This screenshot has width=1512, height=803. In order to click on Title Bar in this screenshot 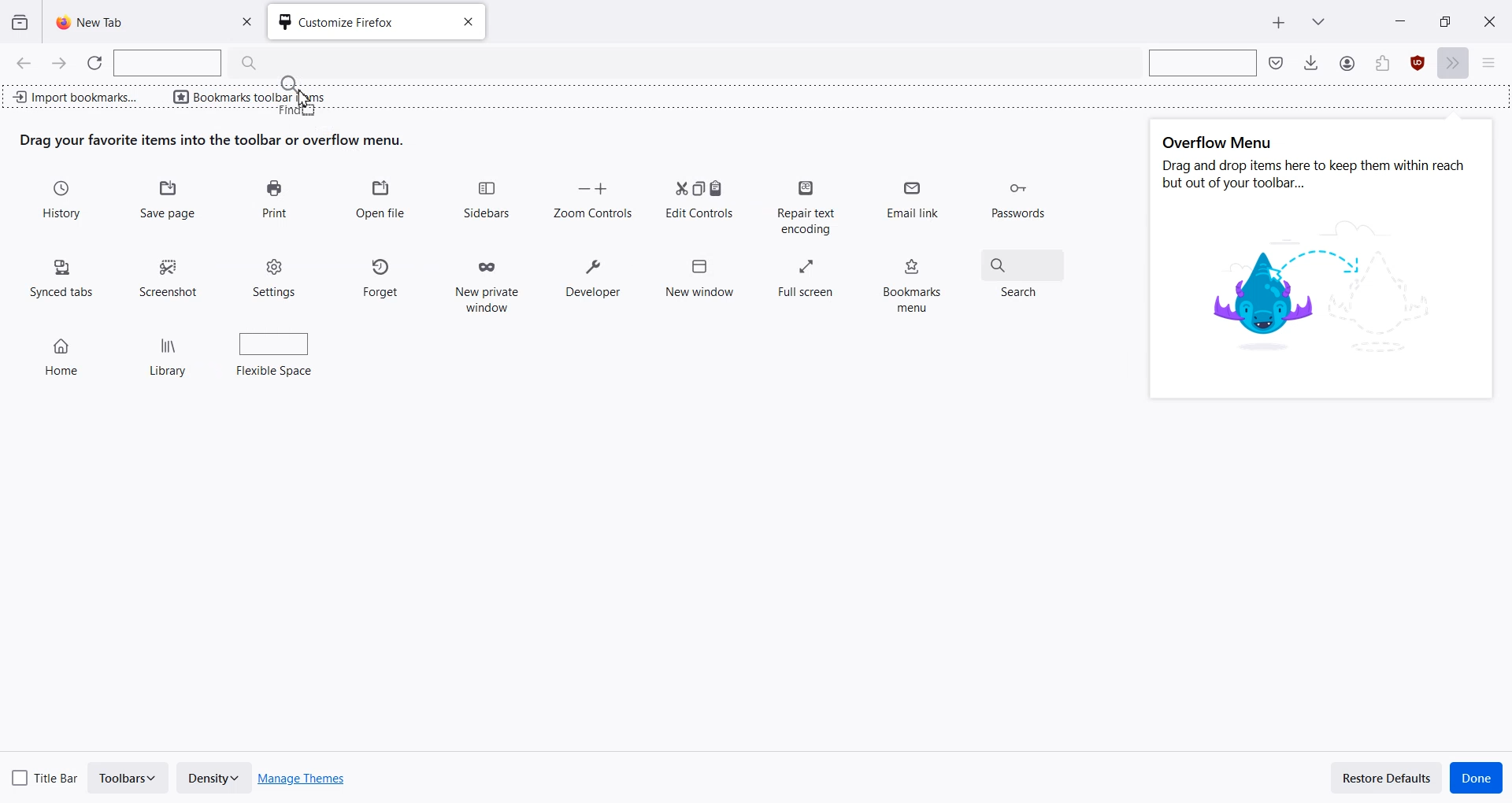, I will do `click(46, 775)`.